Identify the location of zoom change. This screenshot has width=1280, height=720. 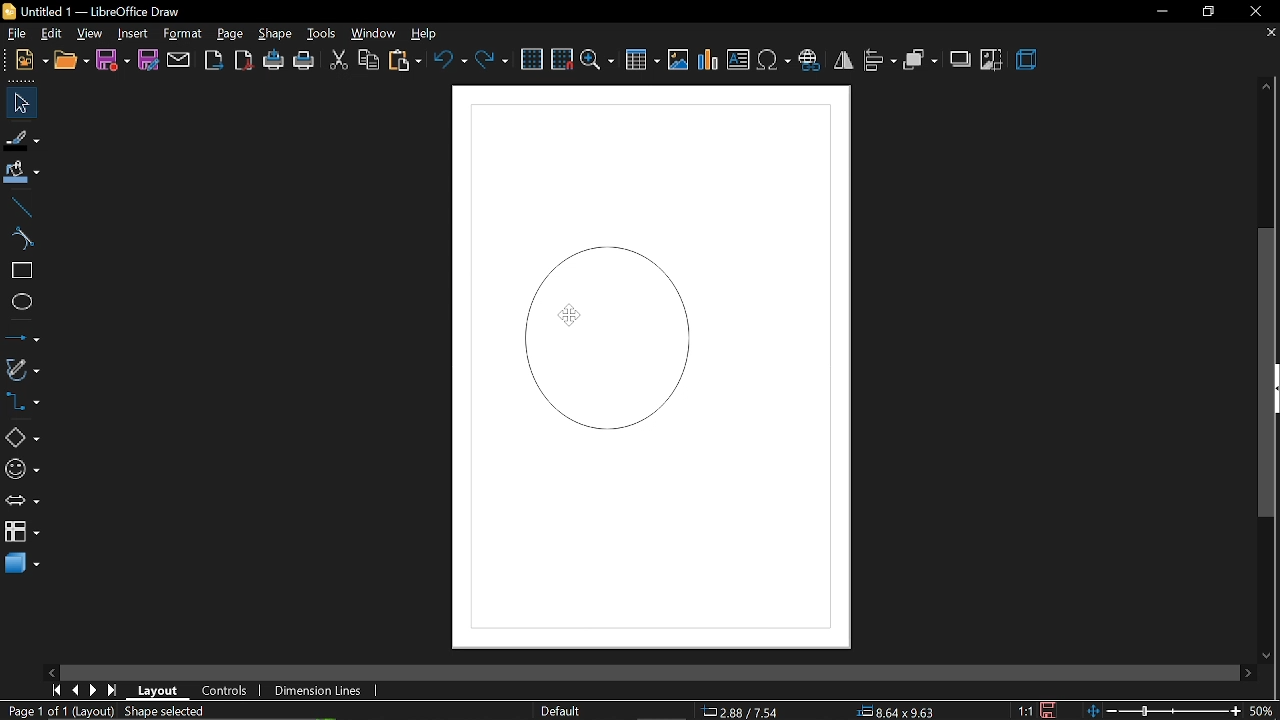
(1183, 711).